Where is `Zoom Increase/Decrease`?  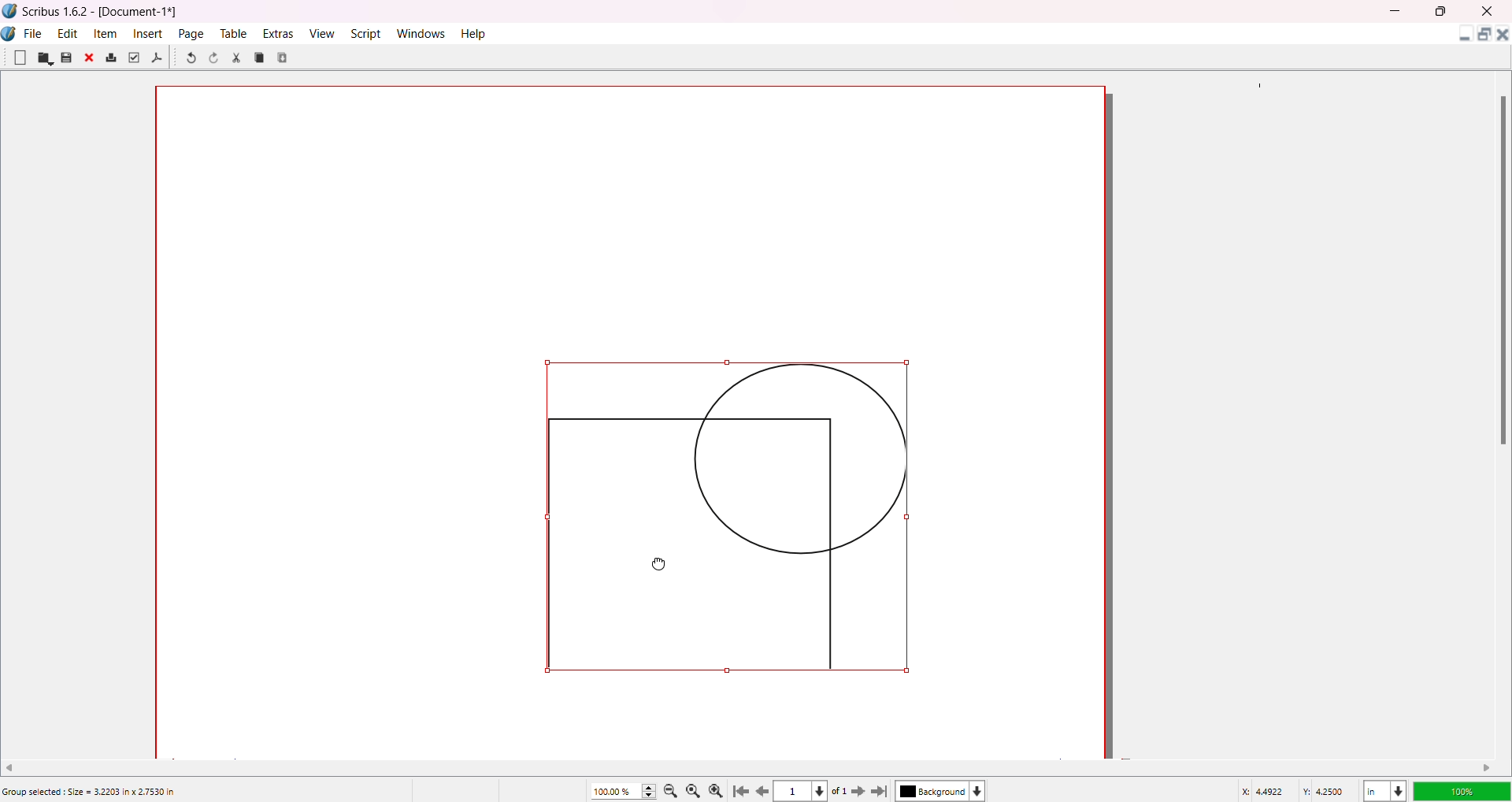 Zoom Increase/Decrease is located at coordinates (651, 789).